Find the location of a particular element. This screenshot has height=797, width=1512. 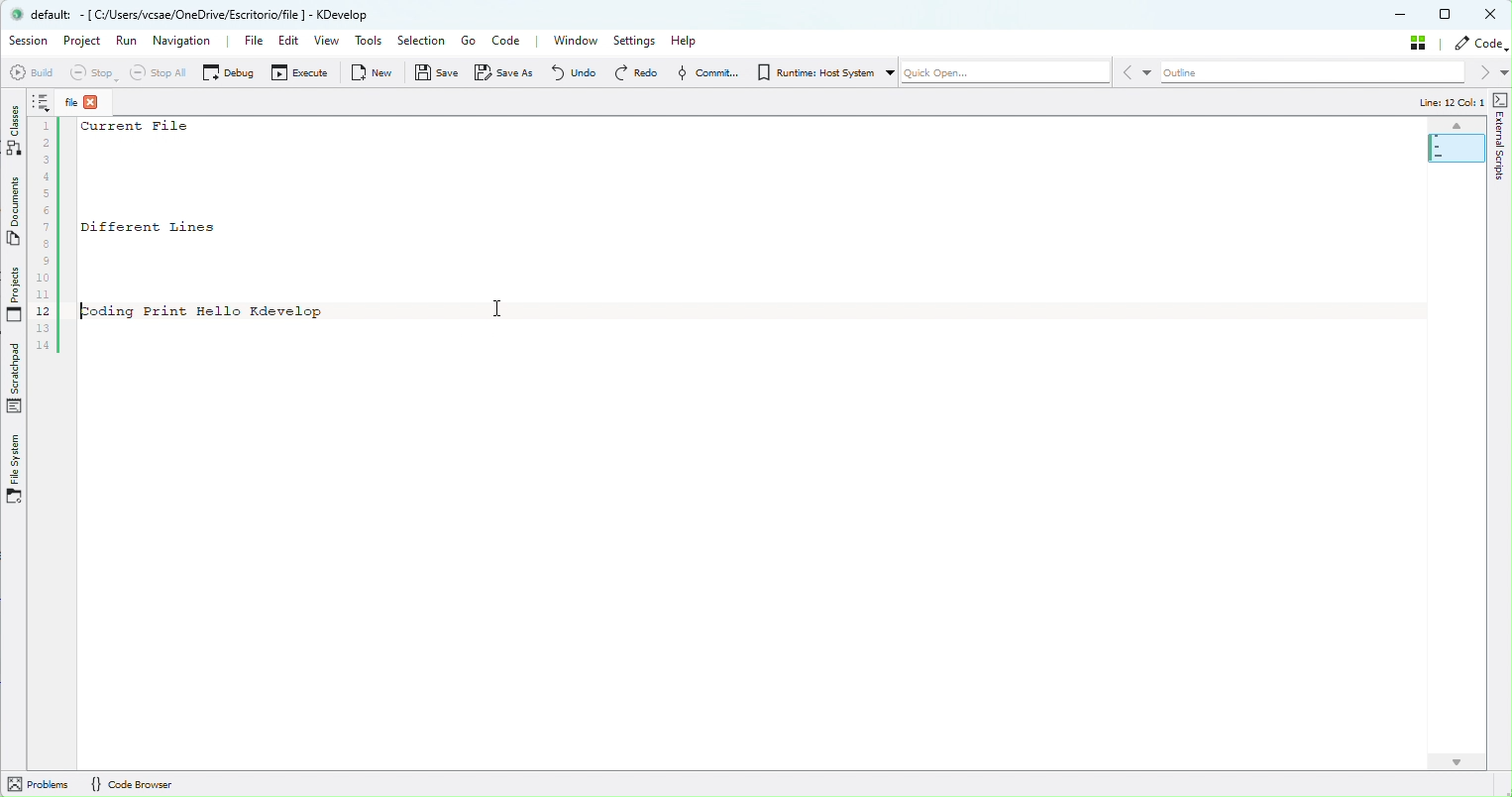

Commit is located at coordinates (702, 75).